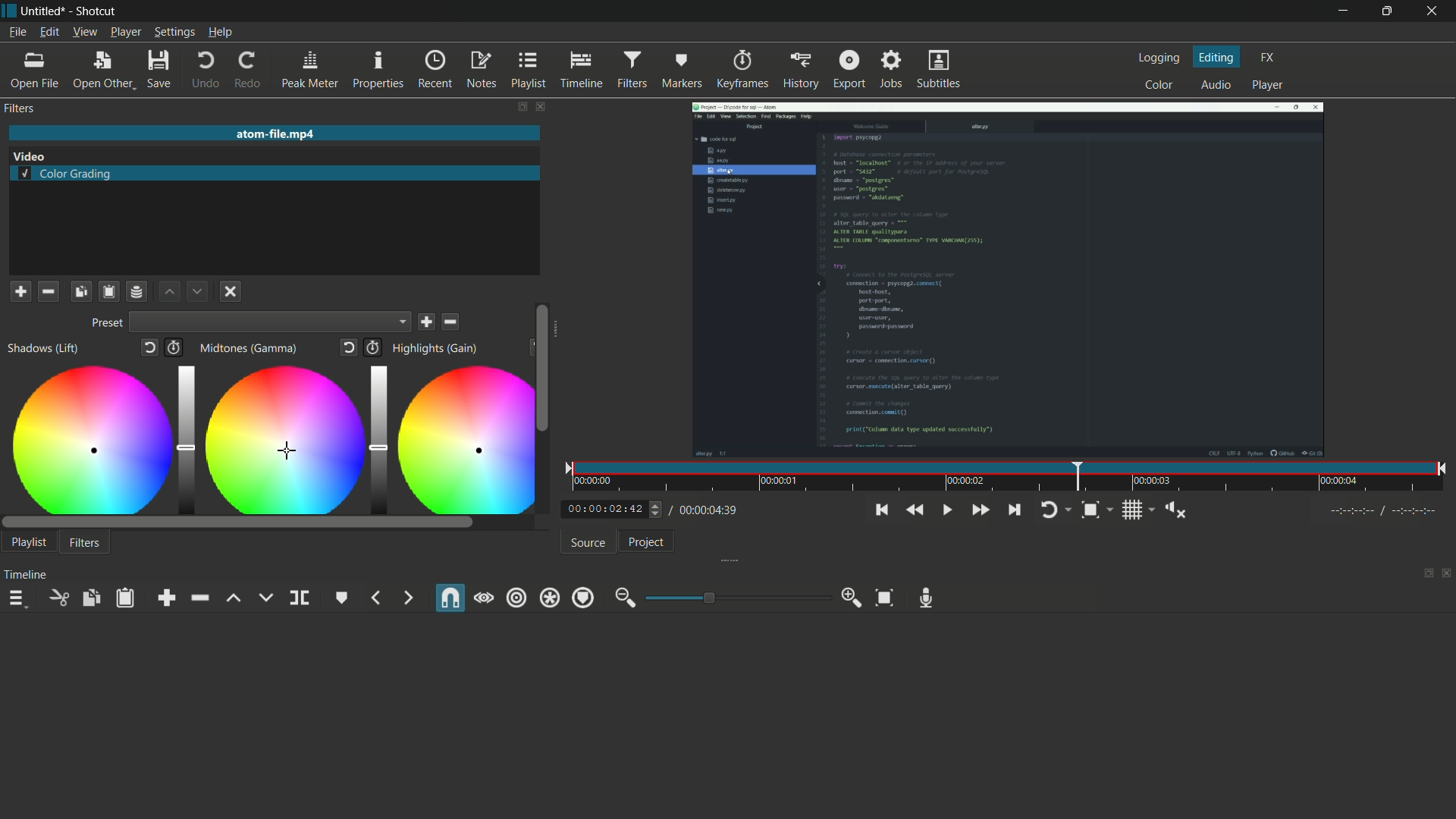 The width and height of the screenshot is (1456, 819). What do you see at coordinates (624, 598) in the screenshot?
I see `zoom out` at bounding box center [624, 598].